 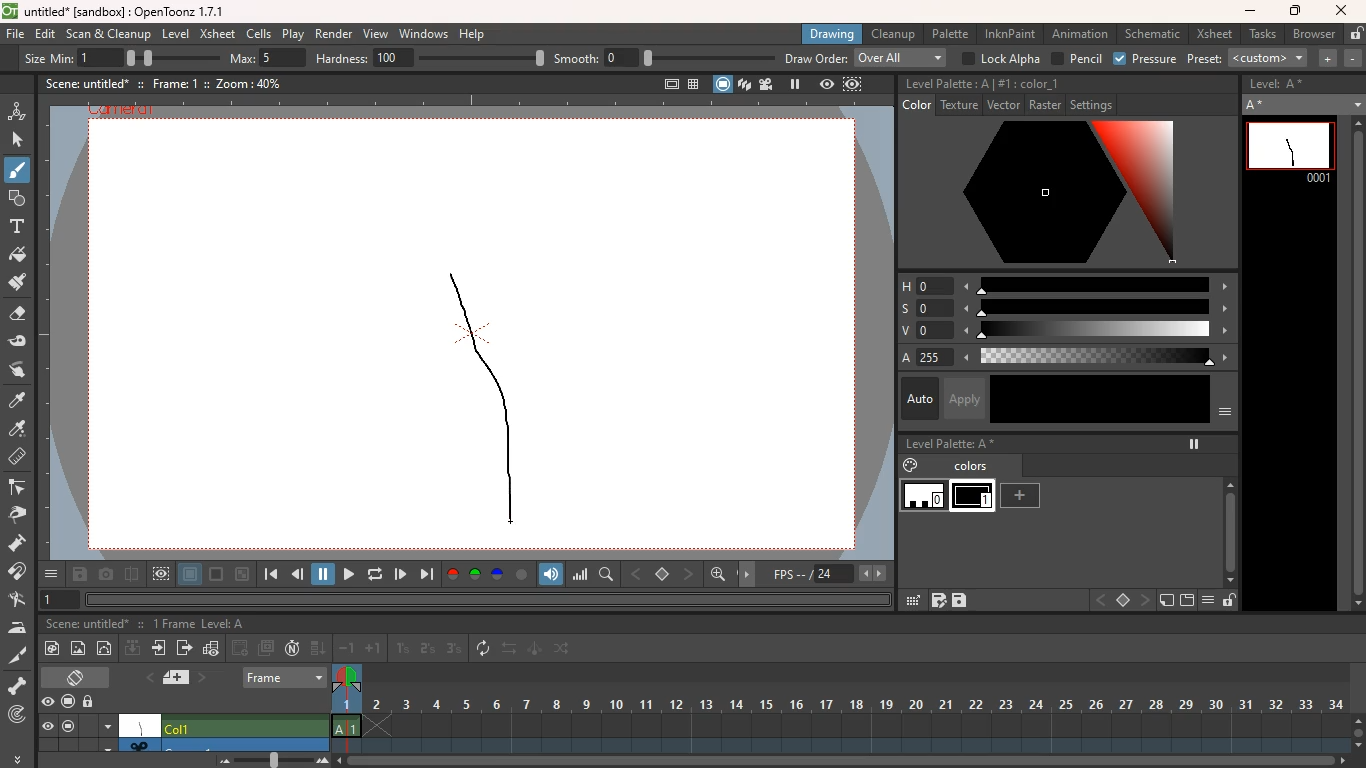 What do you see at coordinates (17, 228) in the screenshot?
I see `text` at bounding box center [17, 228].